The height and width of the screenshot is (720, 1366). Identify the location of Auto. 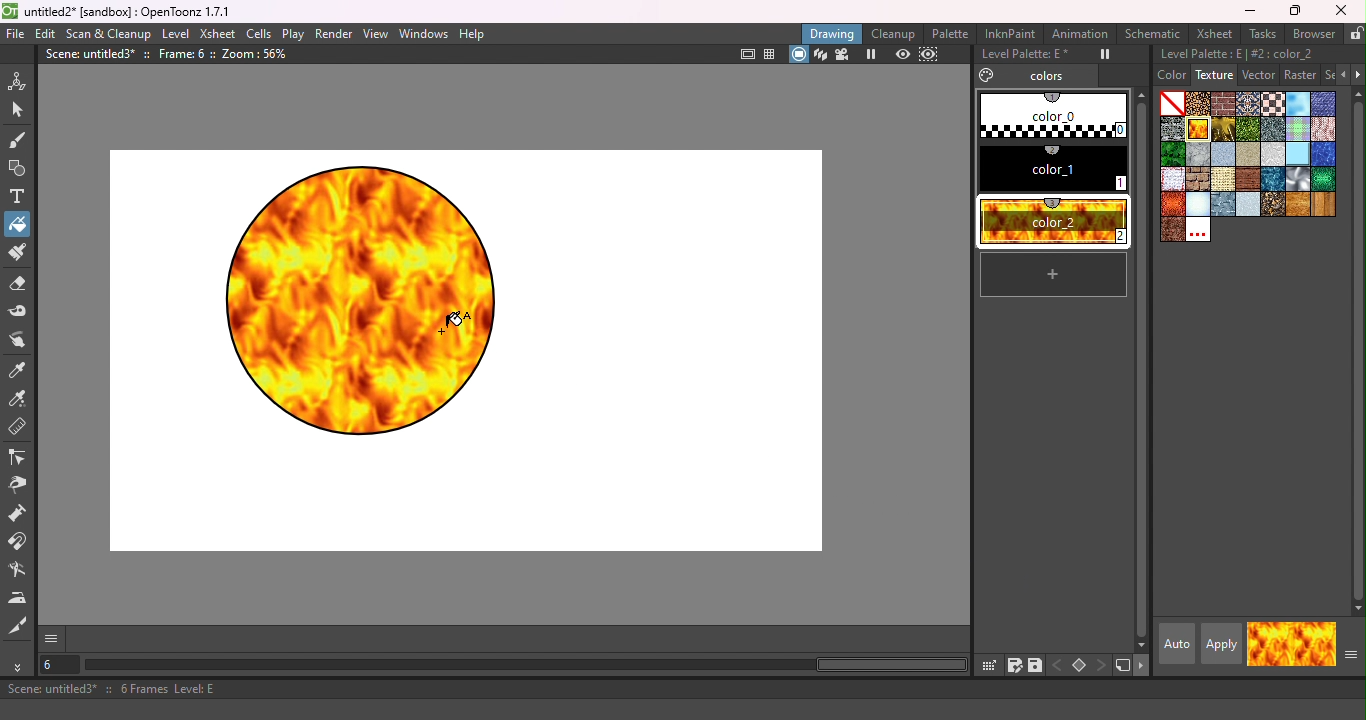
(1175, 644).